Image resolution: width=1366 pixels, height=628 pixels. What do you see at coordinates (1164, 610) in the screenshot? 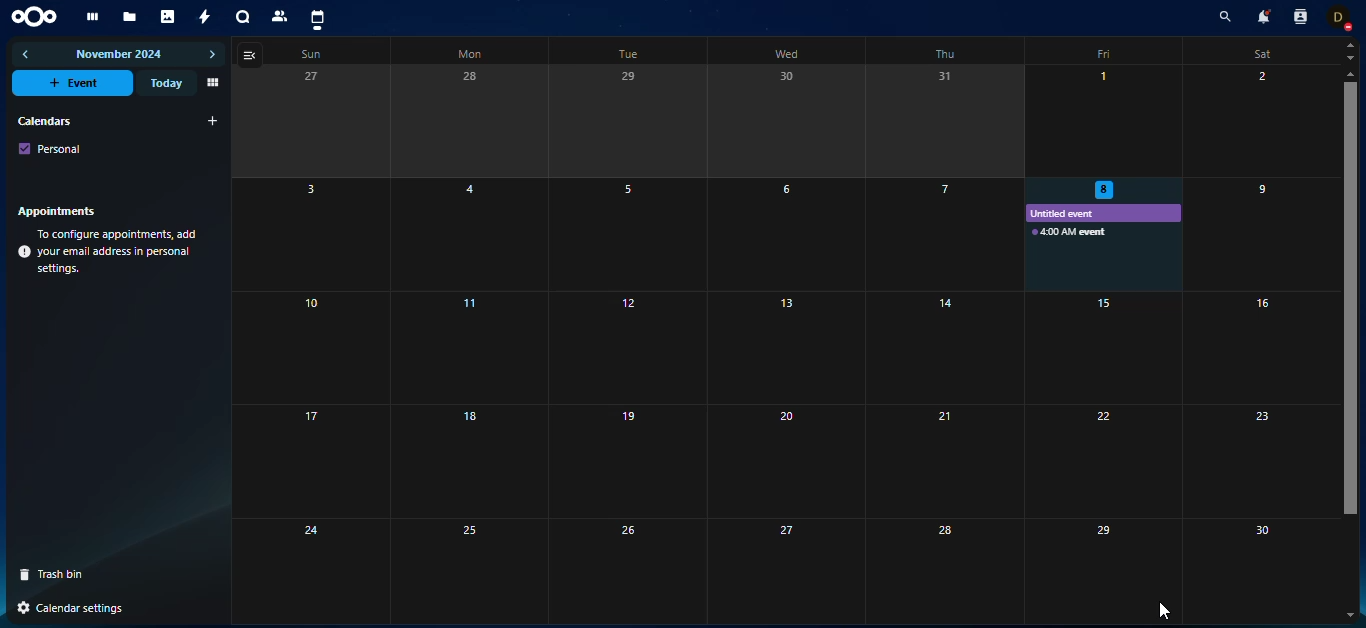
I see `cursor` at bounding box center [1164, 610].